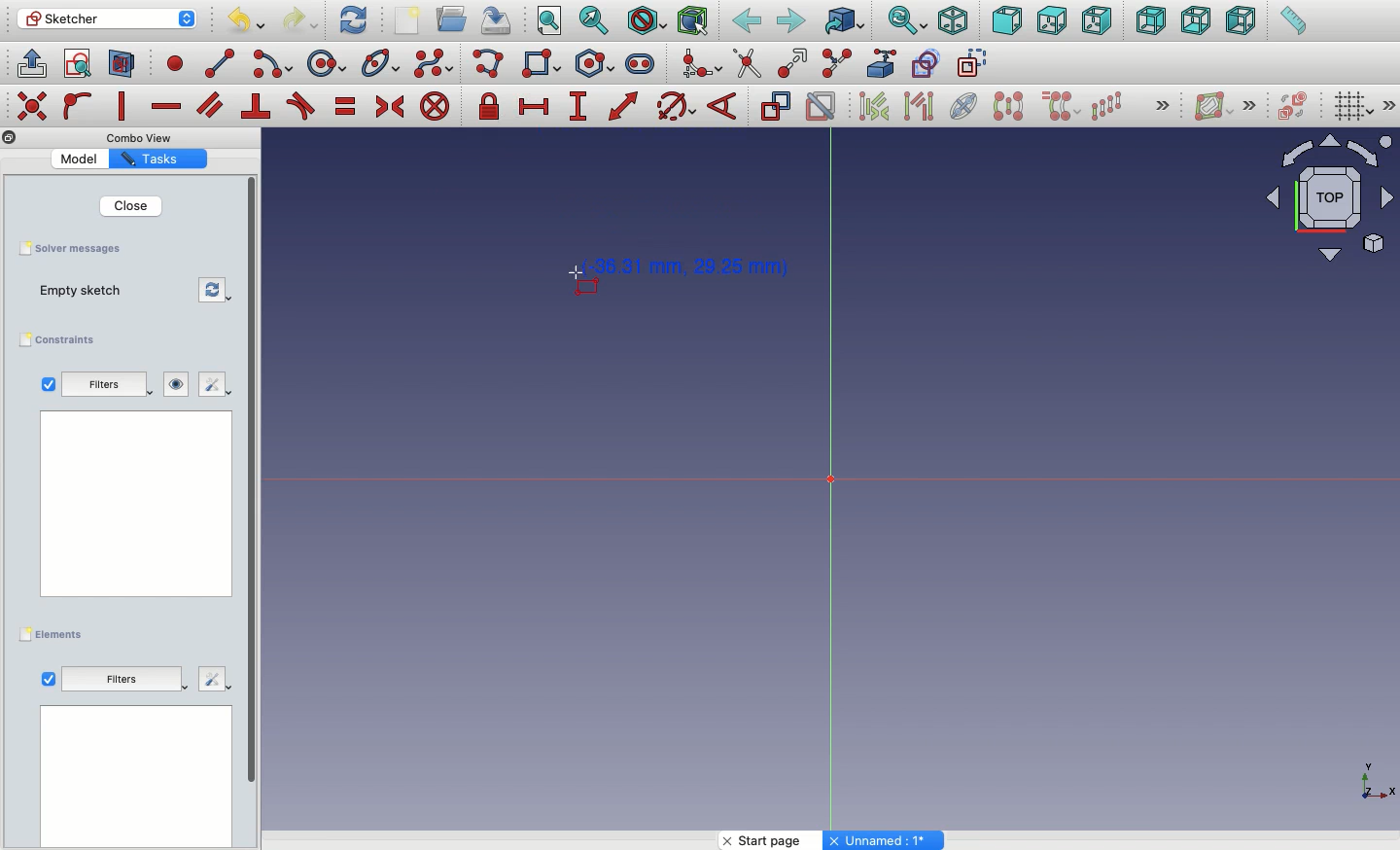  What do you see at coordinates (964, 104) in the screenshot?
I see `Internal geometry ` at bounding box center [964, 104].